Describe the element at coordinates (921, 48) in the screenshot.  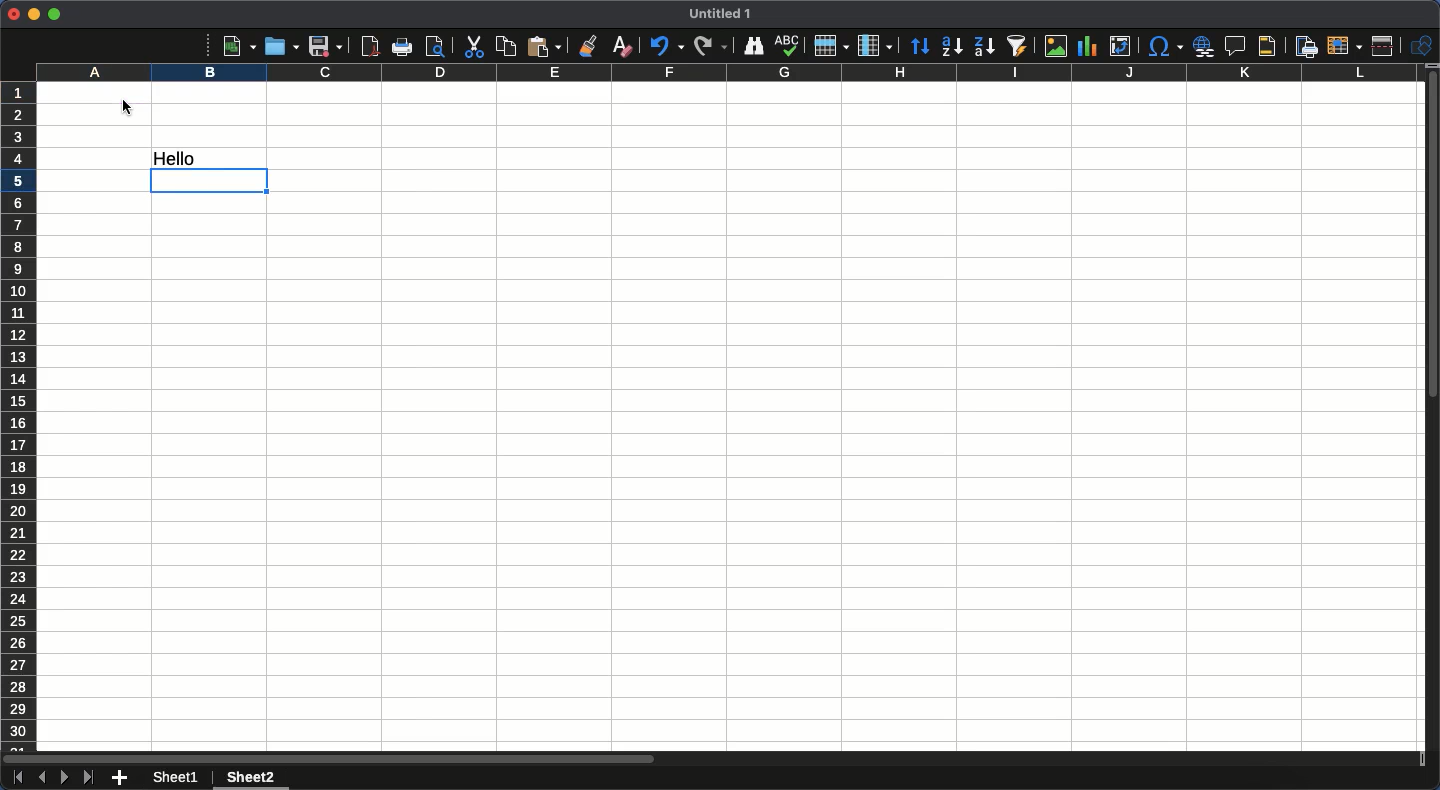
I see `Sort` at that location.